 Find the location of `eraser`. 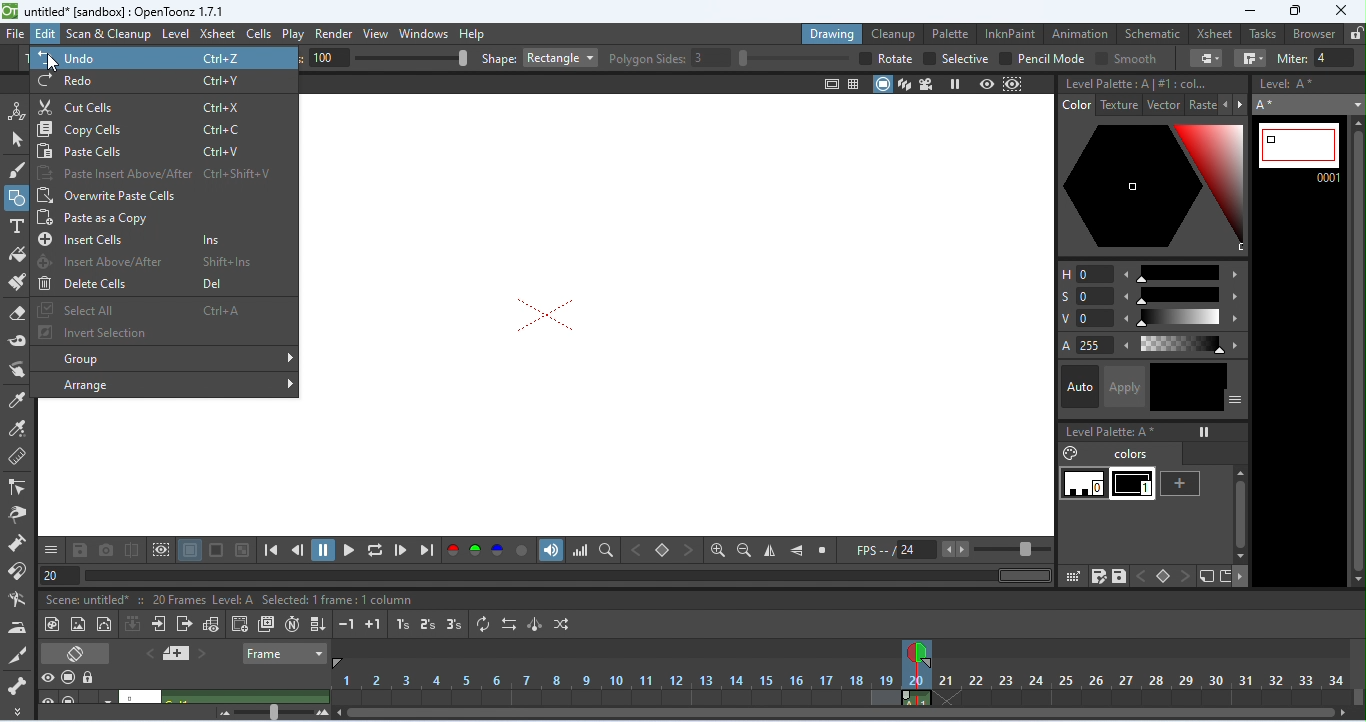

eraser is located at coordinates (19, 311).